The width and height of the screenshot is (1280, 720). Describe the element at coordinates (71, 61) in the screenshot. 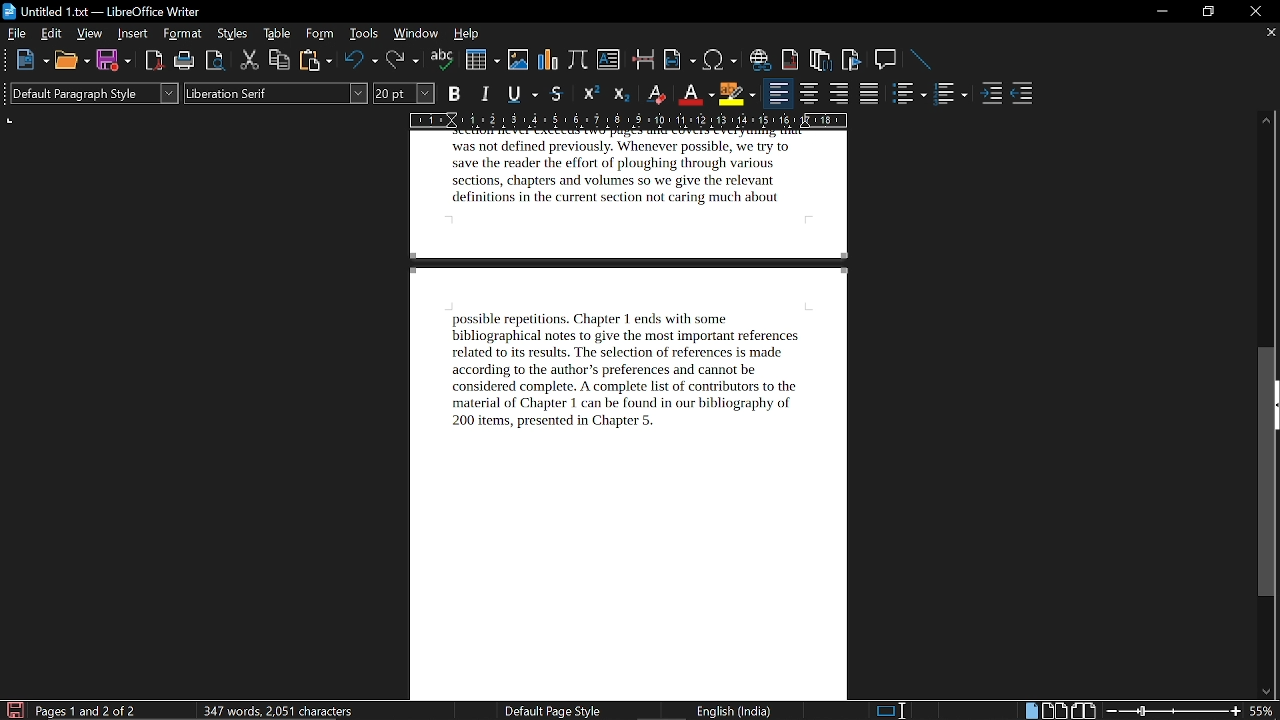

I see `open` at that location.